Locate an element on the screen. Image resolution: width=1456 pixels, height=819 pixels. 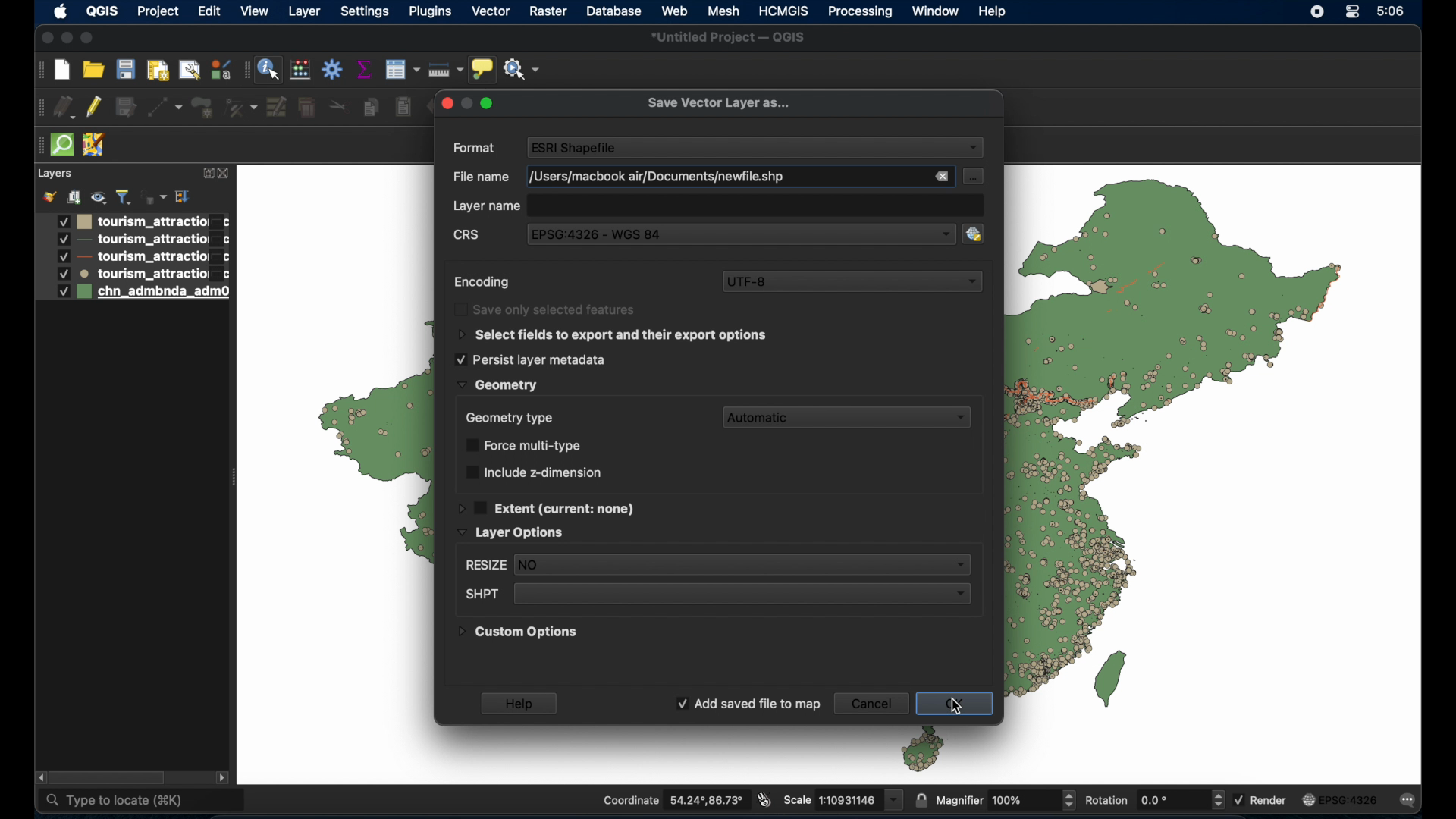
current edits  is located at coordinates (65, 108).